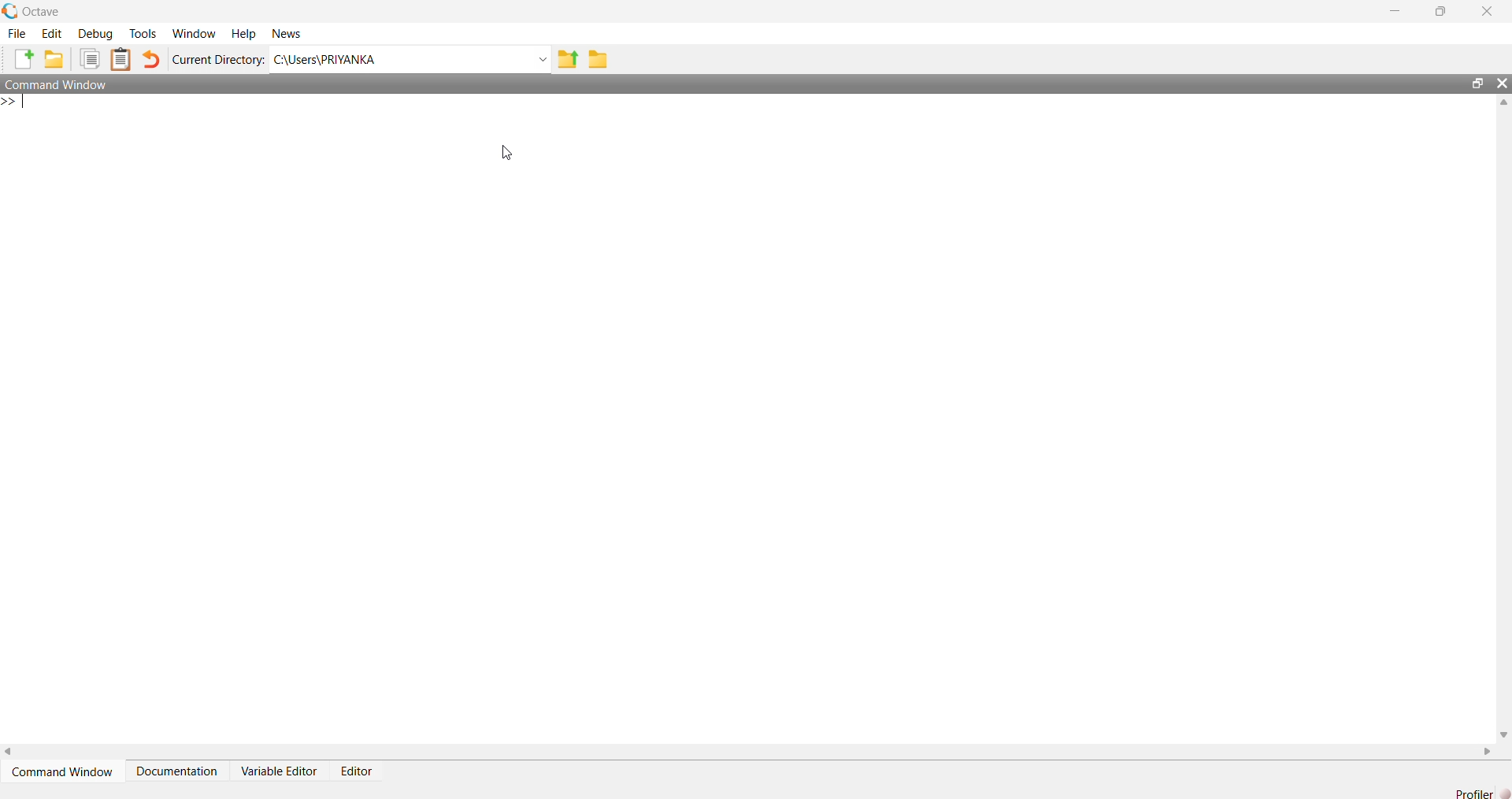 The width and height of the screenshot is (1512, 799). I want to click on Maximize/Restore, so click(1473, 83).